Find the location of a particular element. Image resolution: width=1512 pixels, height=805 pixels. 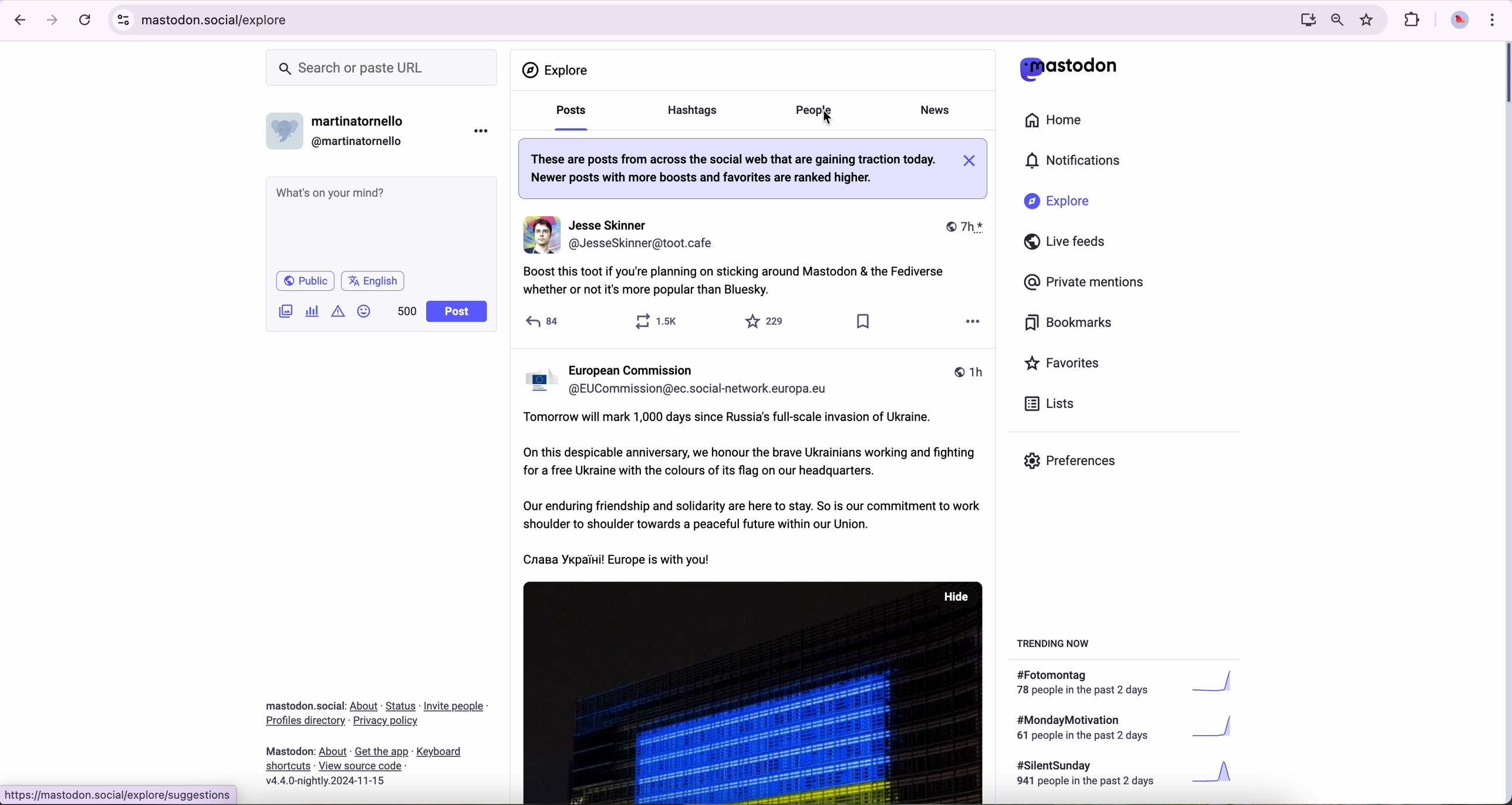

click on people is located at coordinates (816, 112).